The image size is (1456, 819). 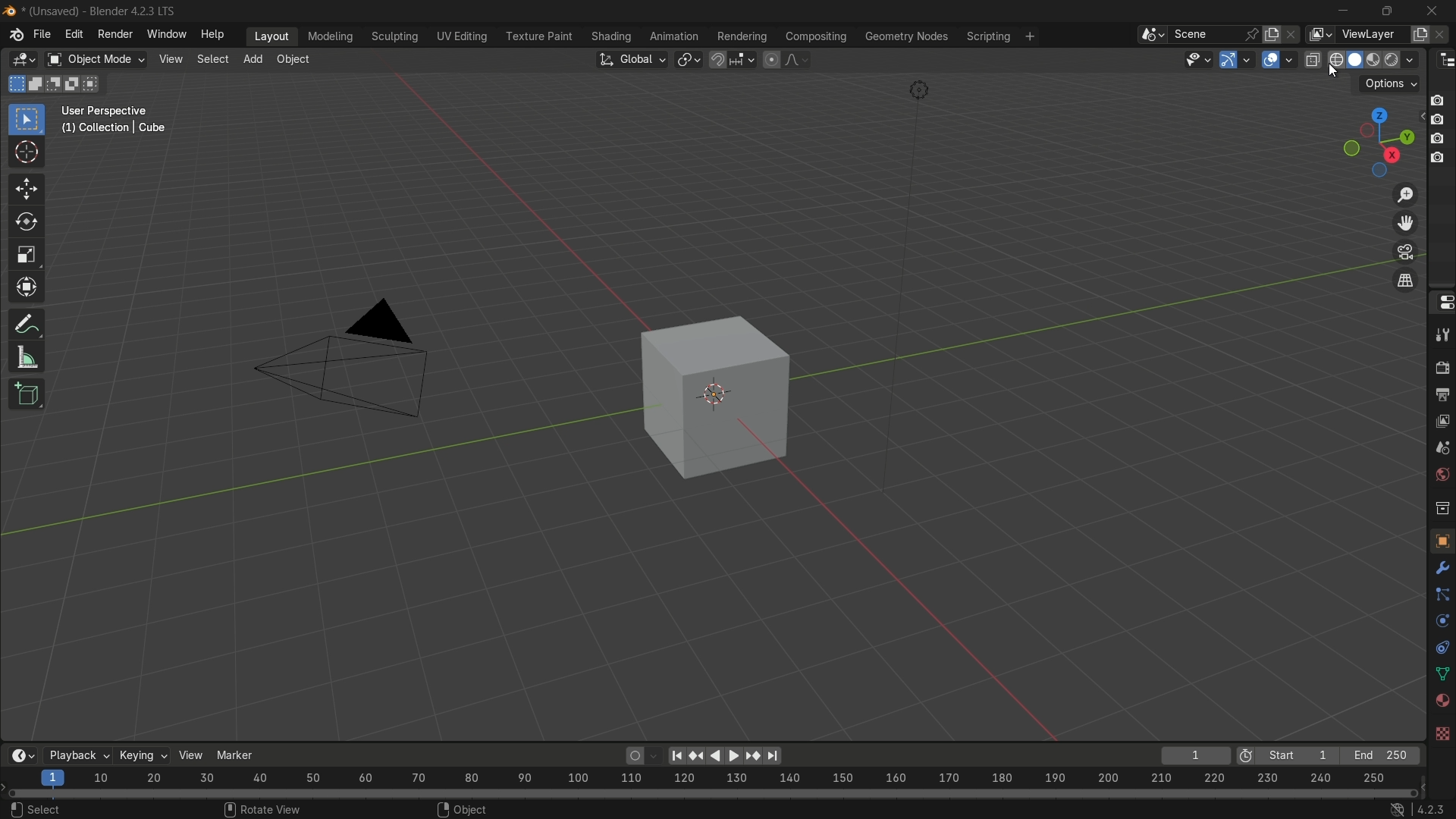 I want to click on material, so click(x=1441, y=704).